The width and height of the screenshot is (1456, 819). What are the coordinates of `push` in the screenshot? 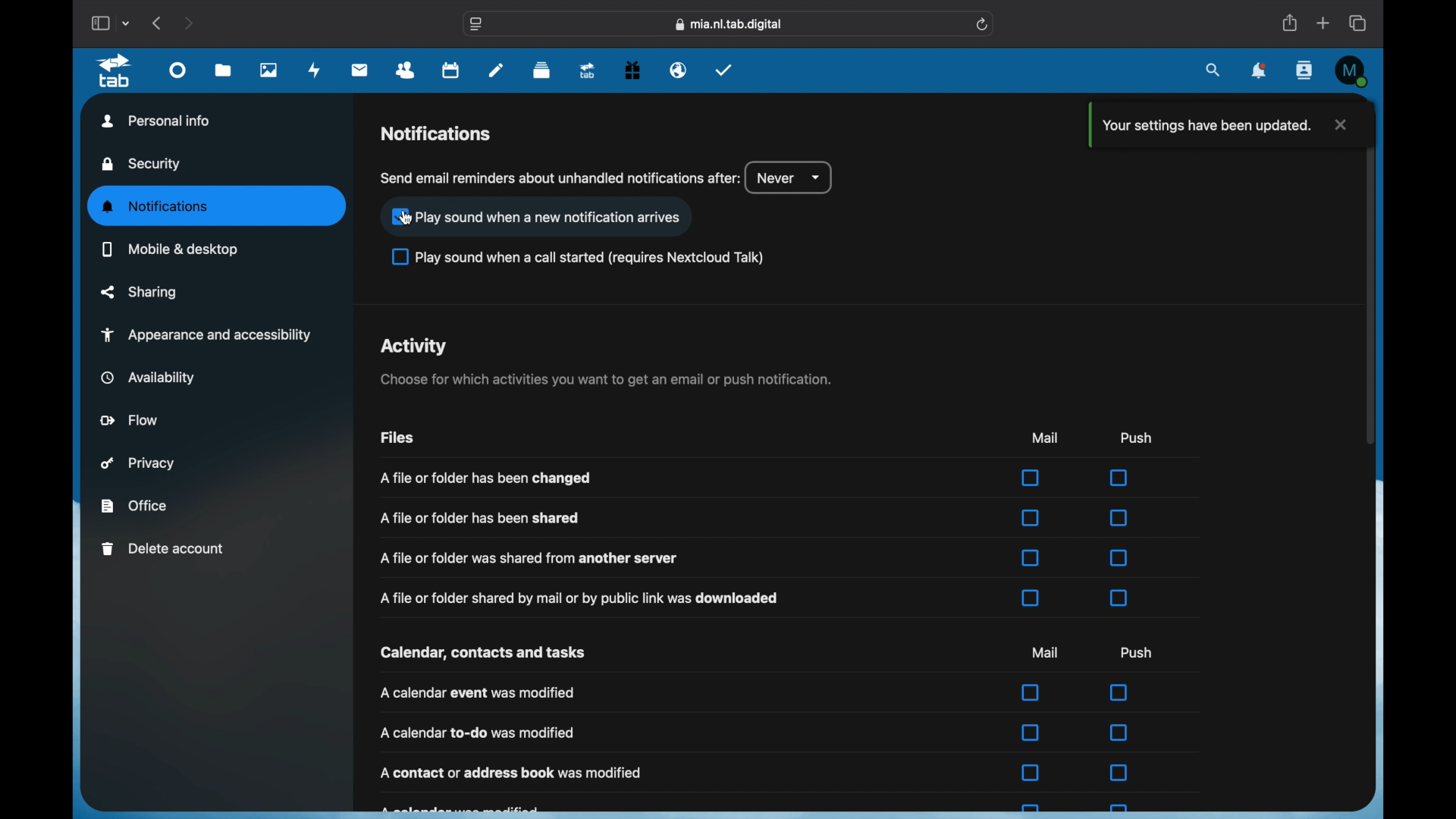 It's located at (1137, 437).